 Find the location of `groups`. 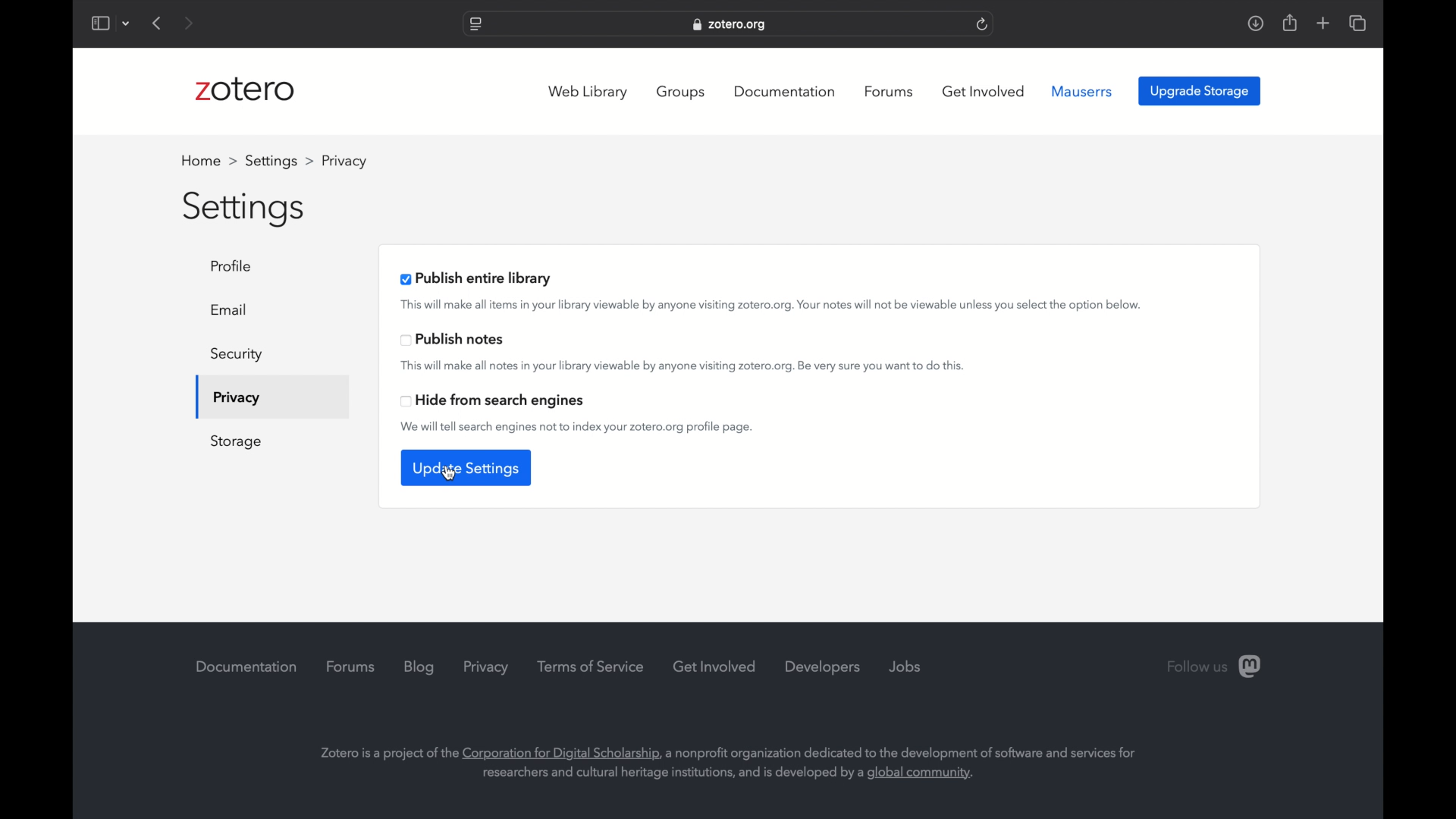

groups is located at coordinates (684, 93).